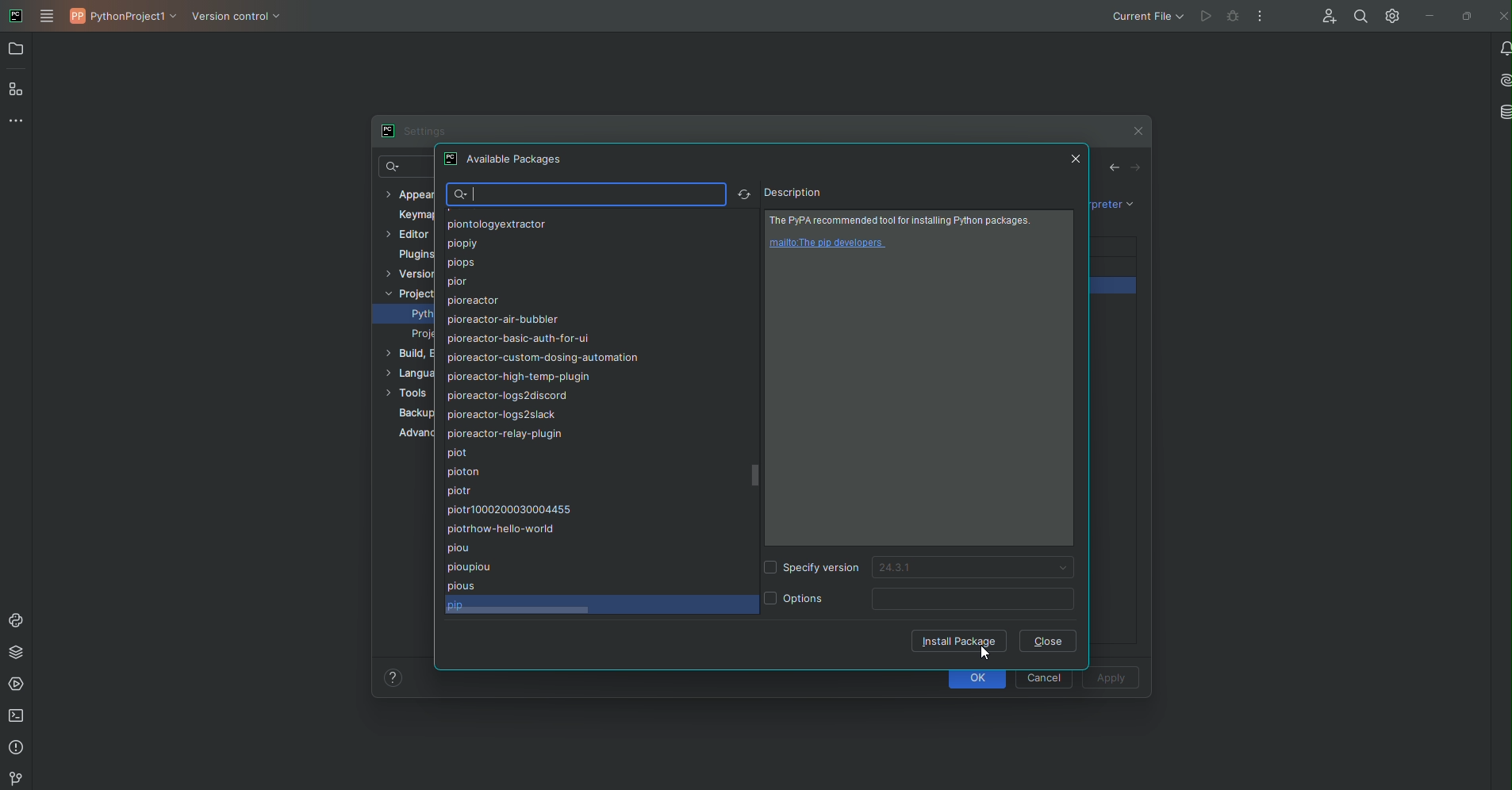  I want to click on Services, so click(17, 686).